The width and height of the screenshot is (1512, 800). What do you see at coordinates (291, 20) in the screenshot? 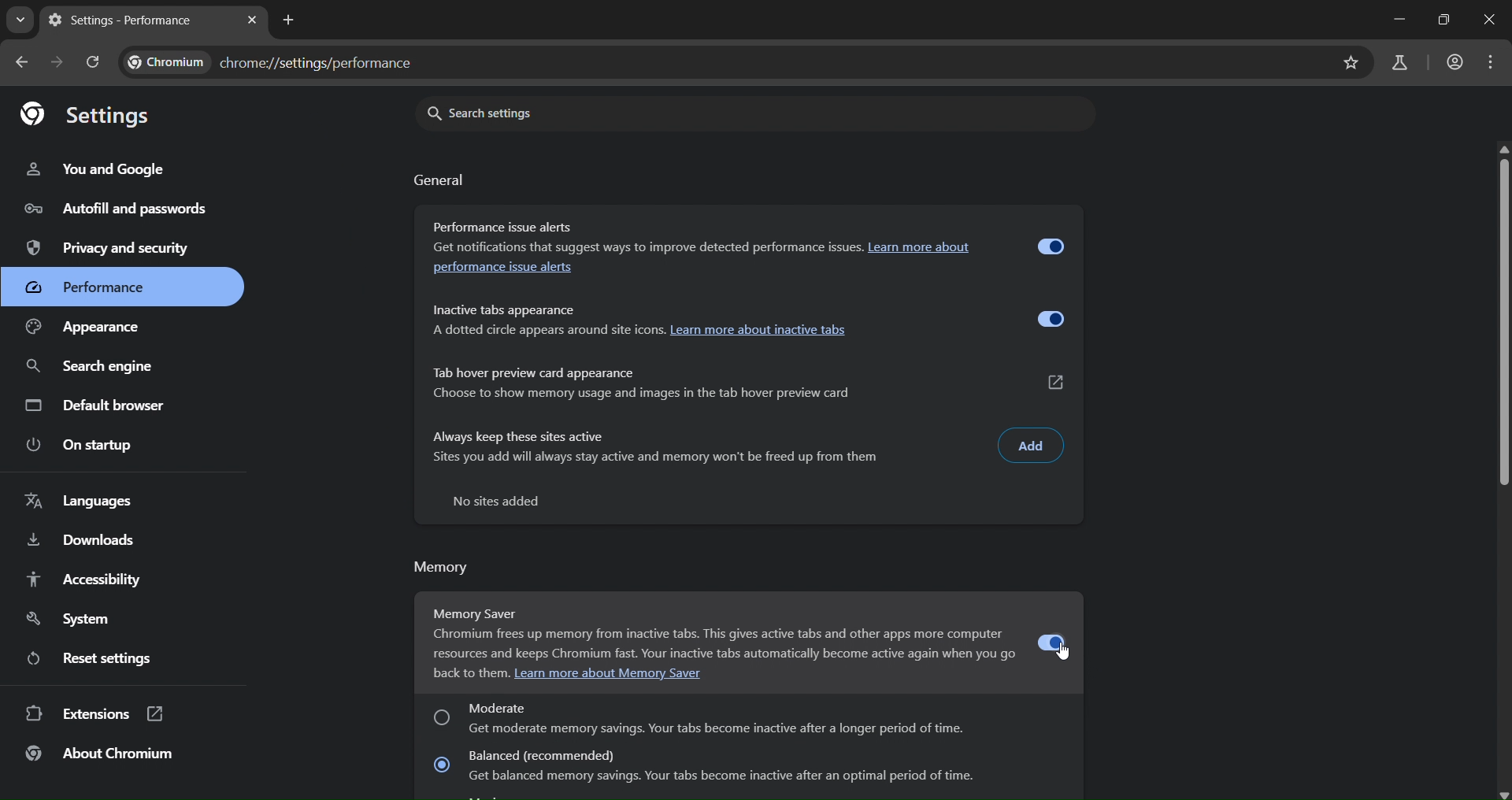
I see `new tab` at bounding box center [291, 20].